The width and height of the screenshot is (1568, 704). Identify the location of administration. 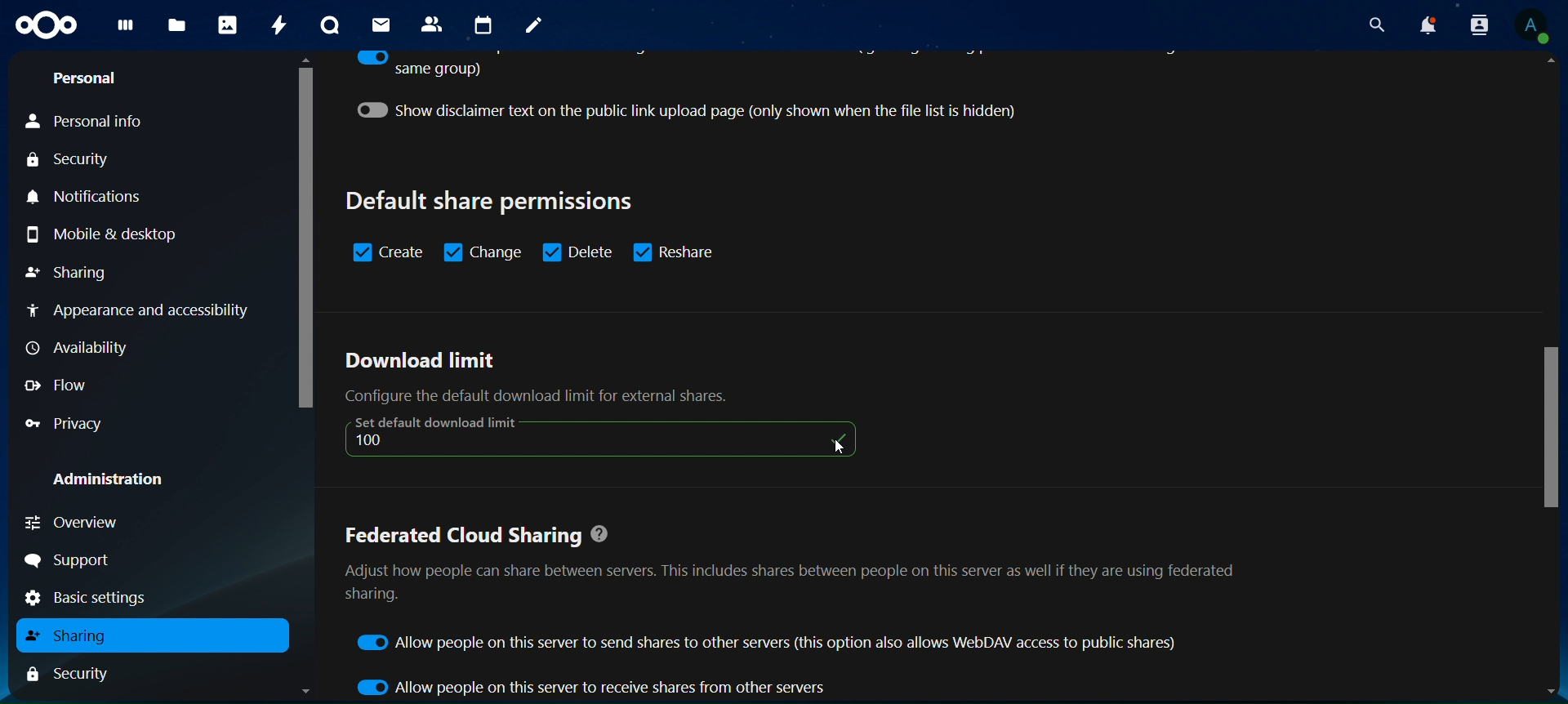
(109, 481).